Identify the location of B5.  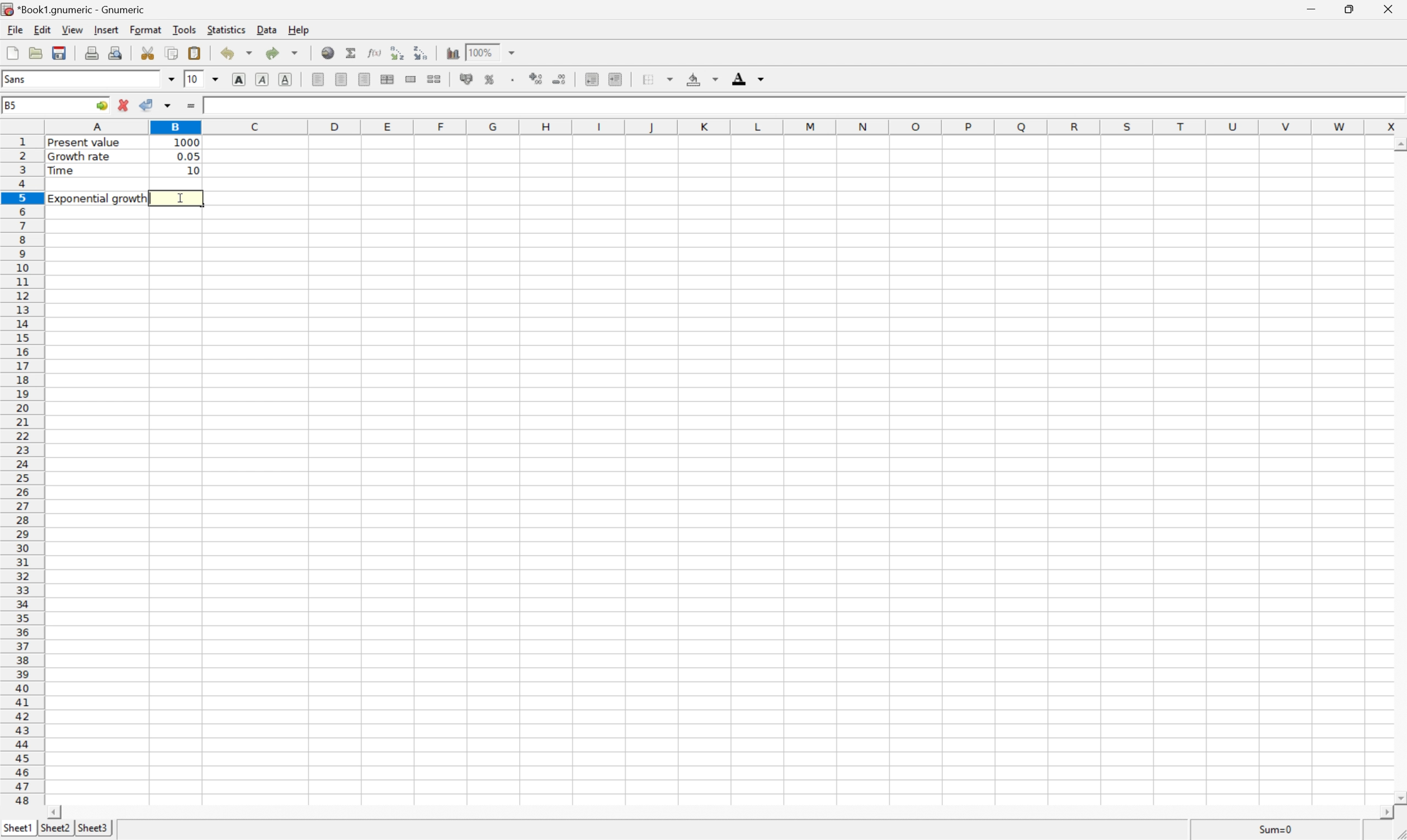
(16, 106).